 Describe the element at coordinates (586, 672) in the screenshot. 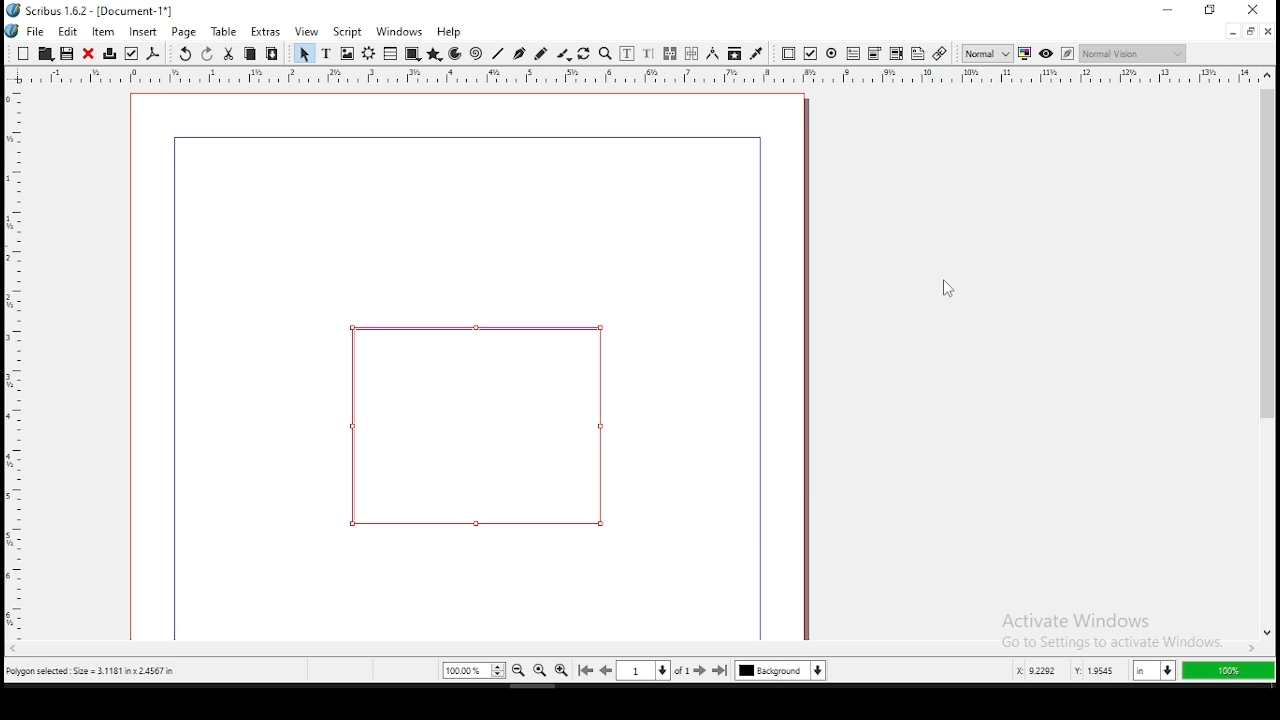

I see `go to first page` at that location.